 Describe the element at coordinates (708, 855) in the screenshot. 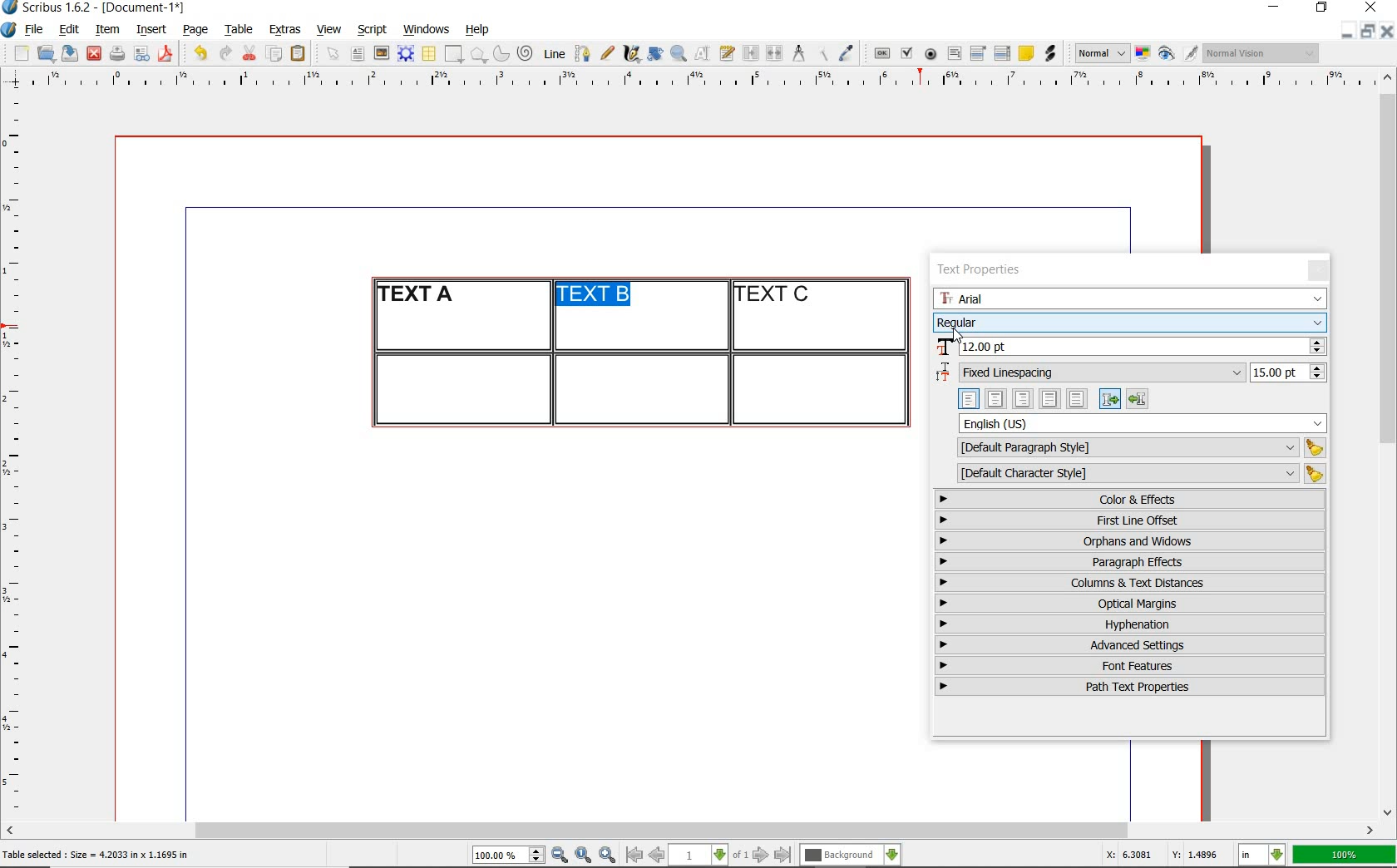

I see `select current page level` at that location.